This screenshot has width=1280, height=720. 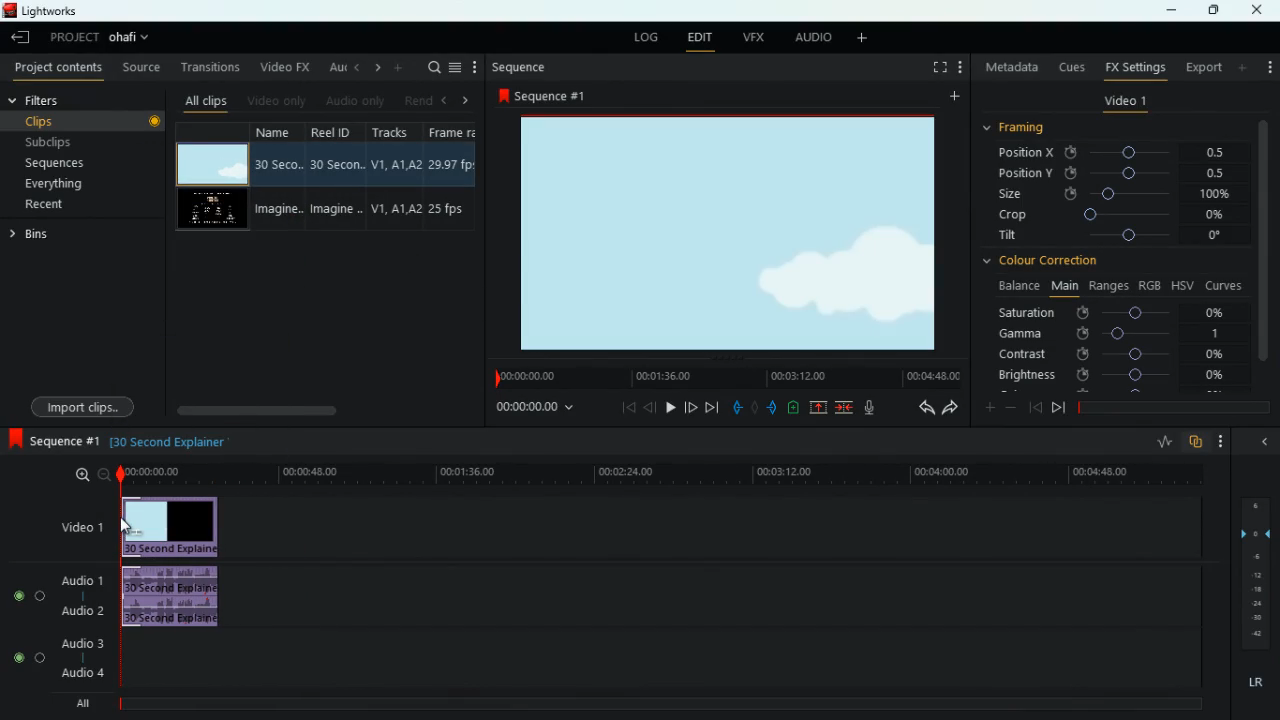 What do you see at coordinates (340, 212) in the screenshot?
I see `Imagine..` at bounding box center [340, 212].